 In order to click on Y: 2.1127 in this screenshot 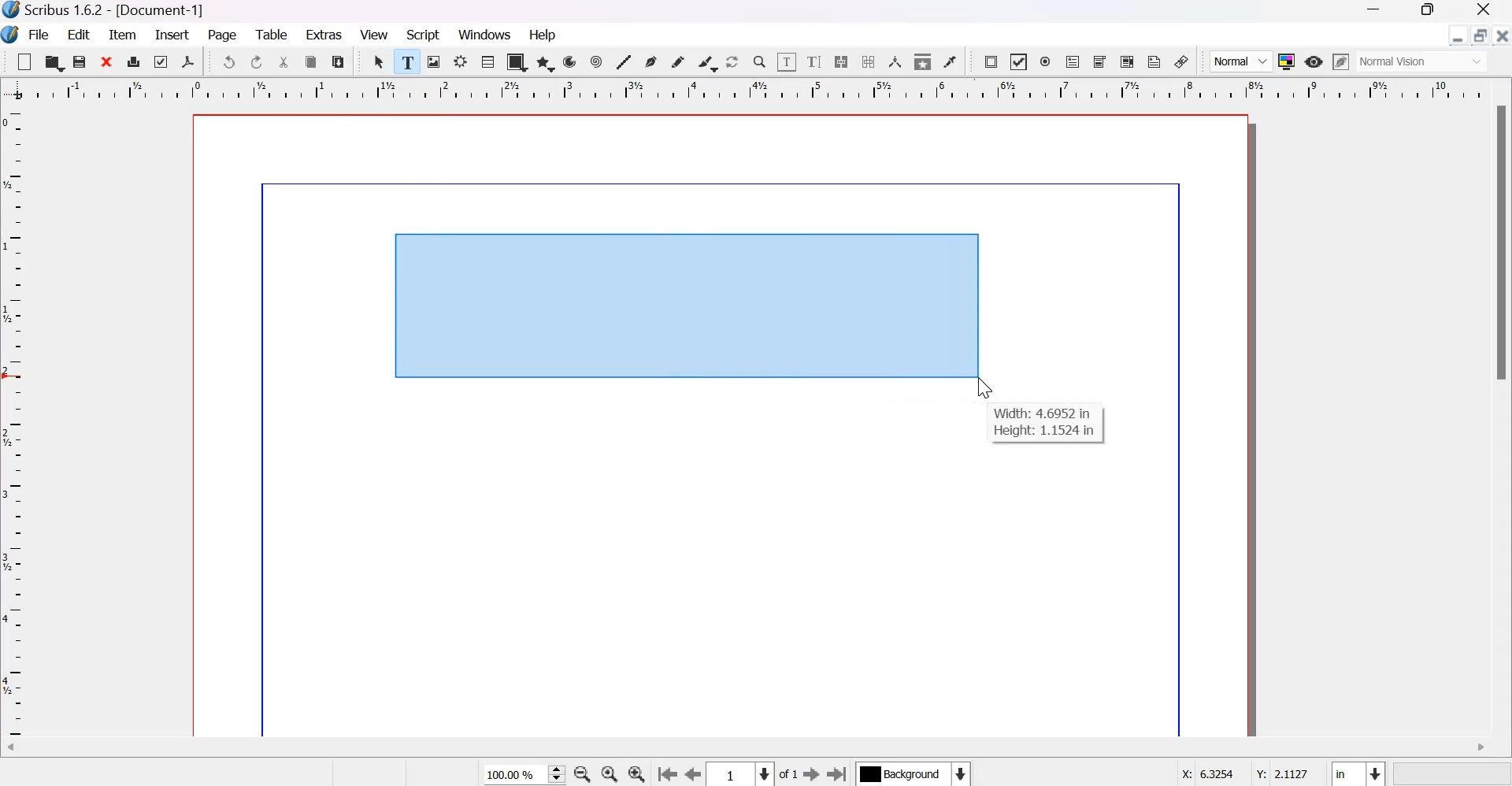, I will do `click(1280, 771)`.